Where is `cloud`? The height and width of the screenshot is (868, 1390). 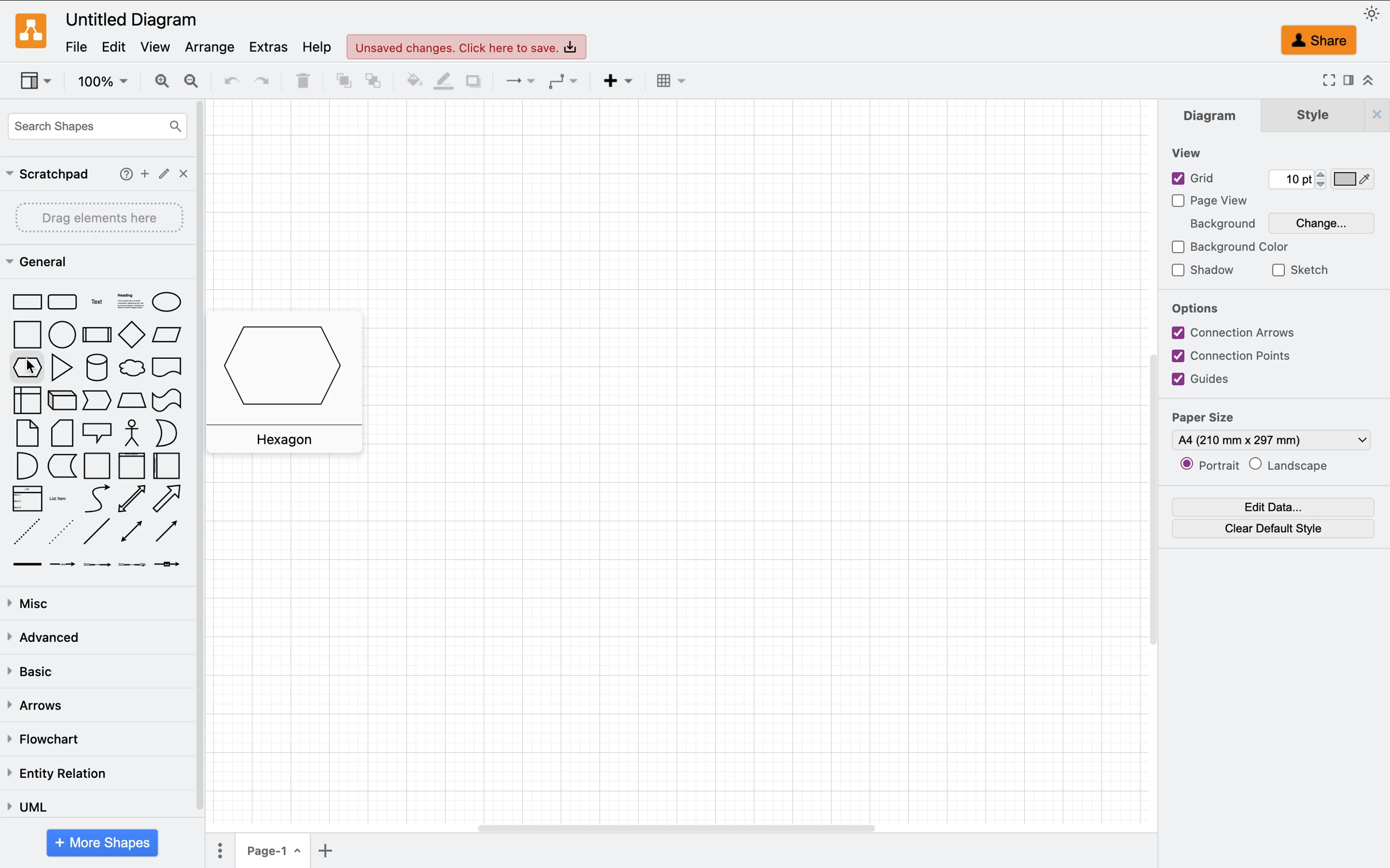
cloud is located at coordinates (132, 367).